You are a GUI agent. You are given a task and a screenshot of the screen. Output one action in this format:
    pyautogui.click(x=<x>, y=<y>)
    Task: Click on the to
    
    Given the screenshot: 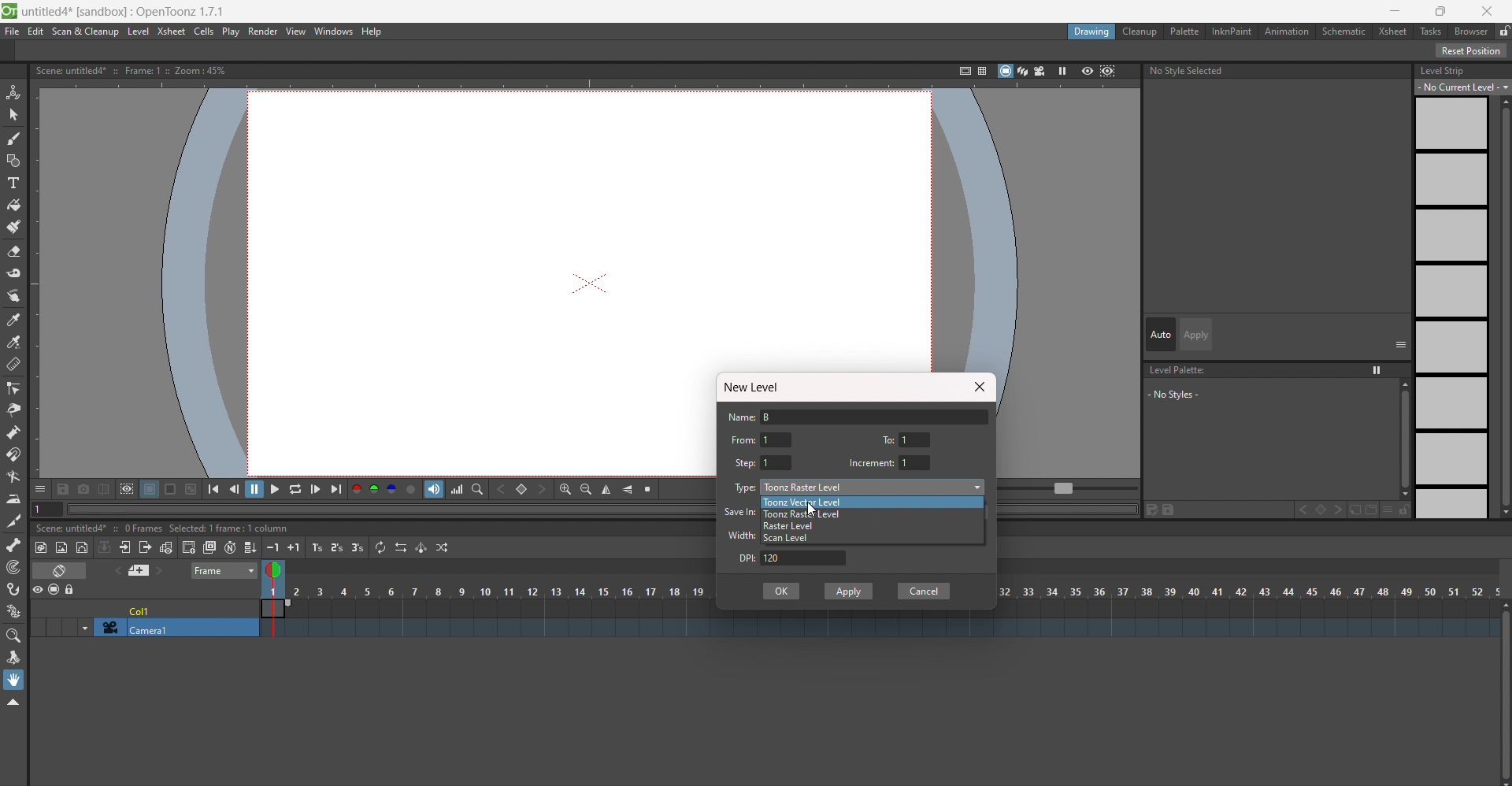 What is the action you would take?
    pyautogui.click(x=891, y=438)
    